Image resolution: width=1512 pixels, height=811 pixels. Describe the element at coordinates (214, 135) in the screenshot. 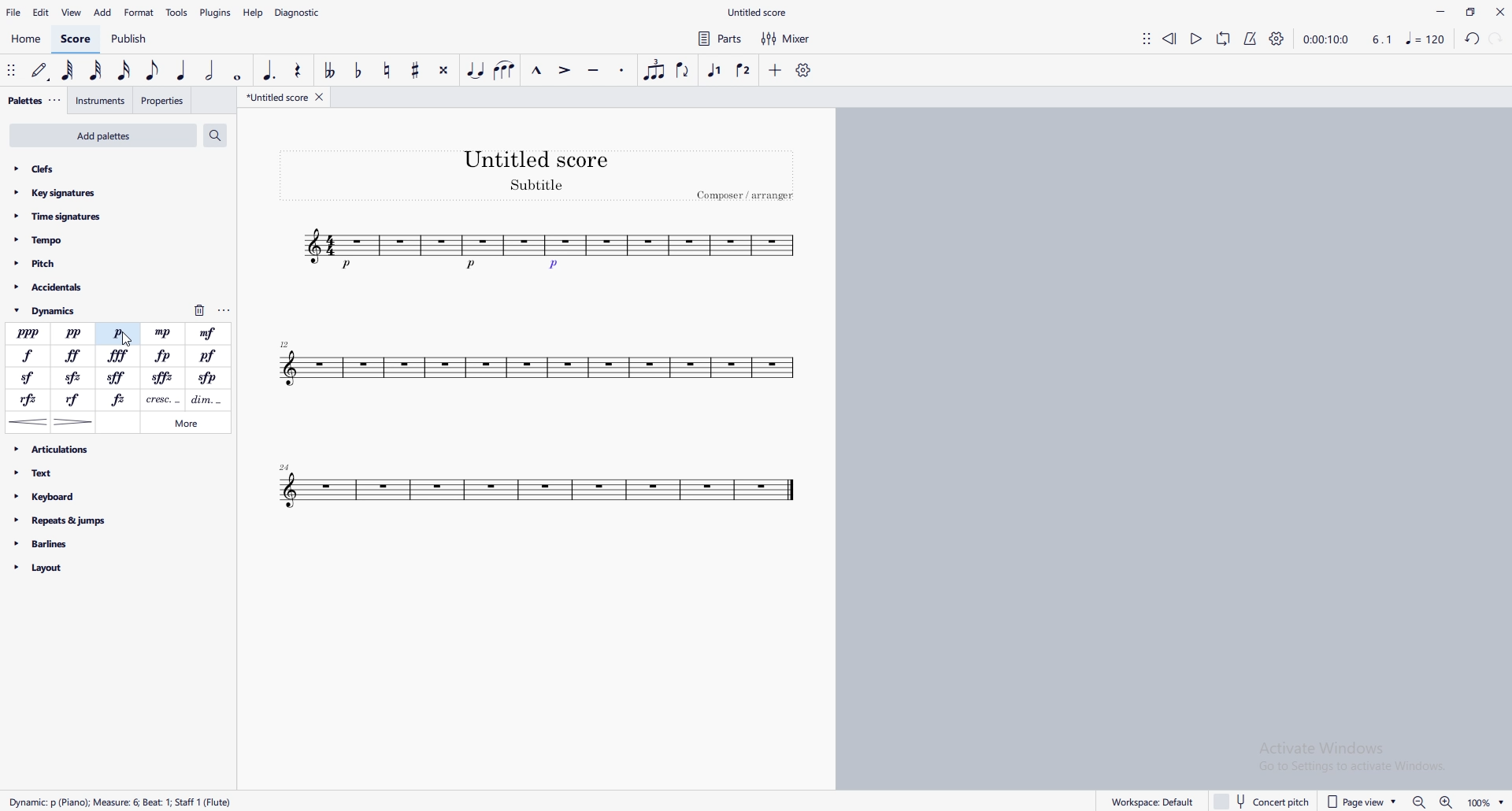

I see `search` at that location.